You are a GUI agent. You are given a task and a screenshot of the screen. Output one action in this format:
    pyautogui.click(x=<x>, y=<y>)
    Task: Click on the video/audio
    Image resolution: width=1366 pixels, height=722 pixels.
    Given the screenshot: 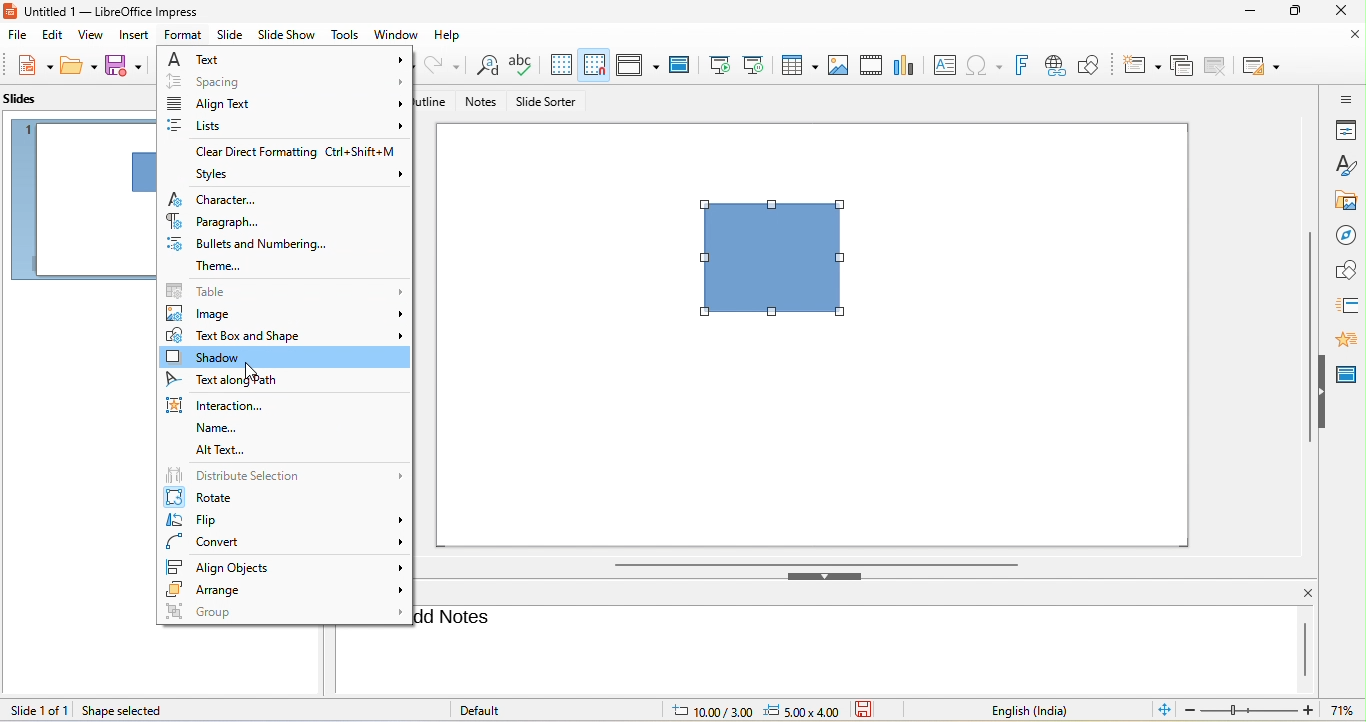 What is the action you would take?
    pyautogui.click(x=870, y=63)
    